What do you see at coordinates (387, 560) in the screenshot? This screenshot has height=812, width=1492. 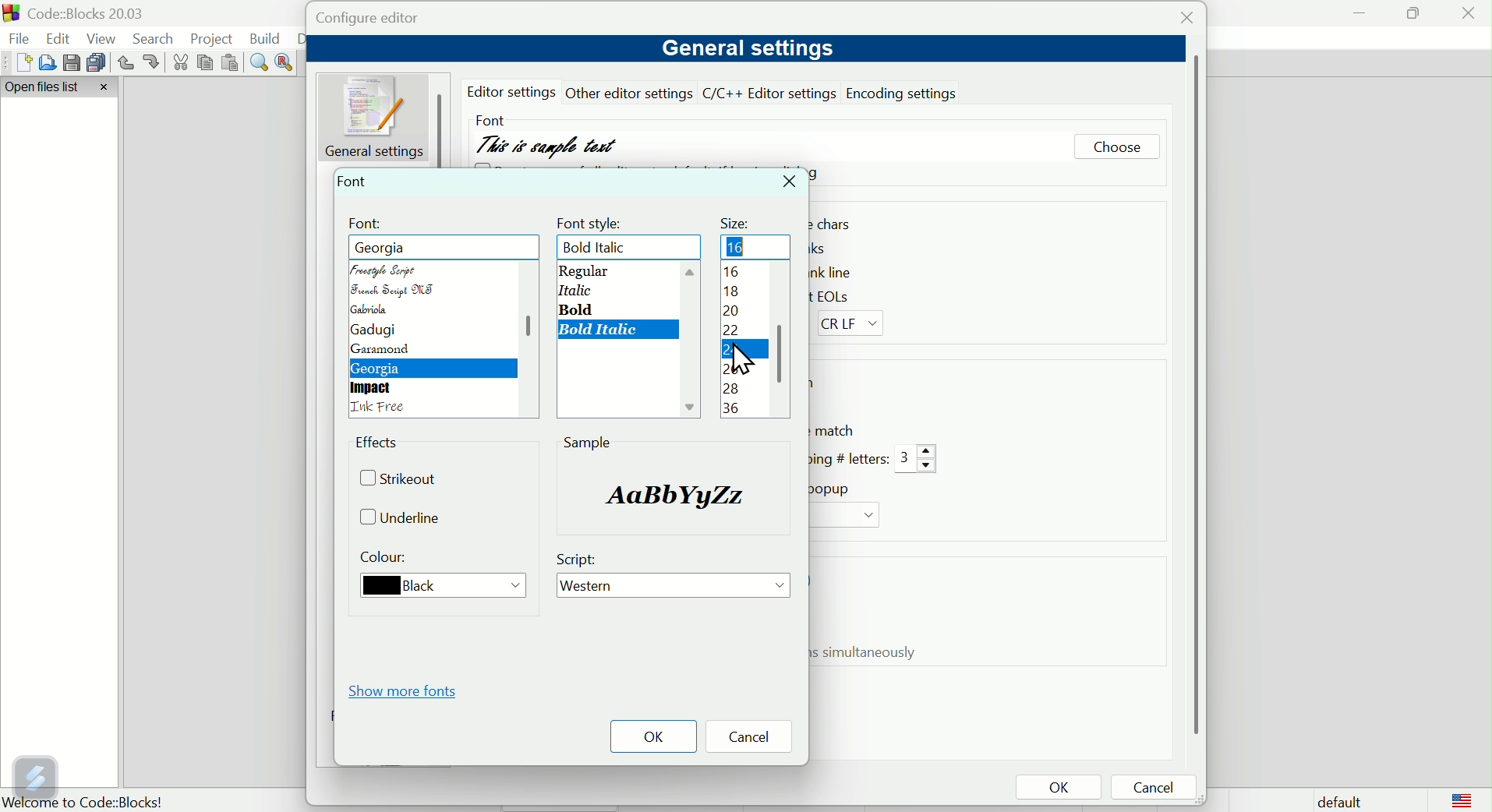 I see `Colour` at bounding box center [387, 560].